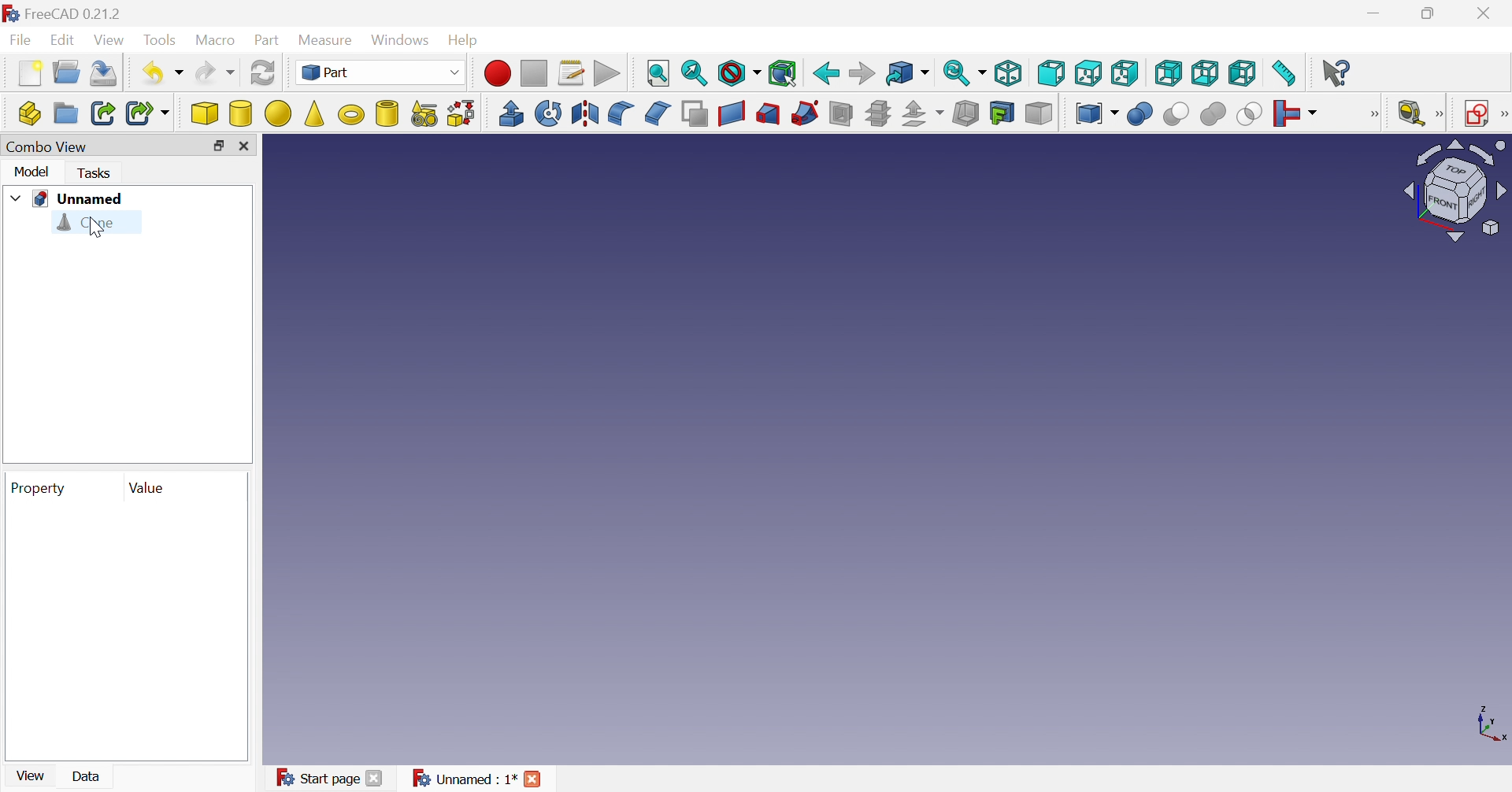  Describe the element at coordinates (161, 37) in the screenshot. I see `Tools` at that location.